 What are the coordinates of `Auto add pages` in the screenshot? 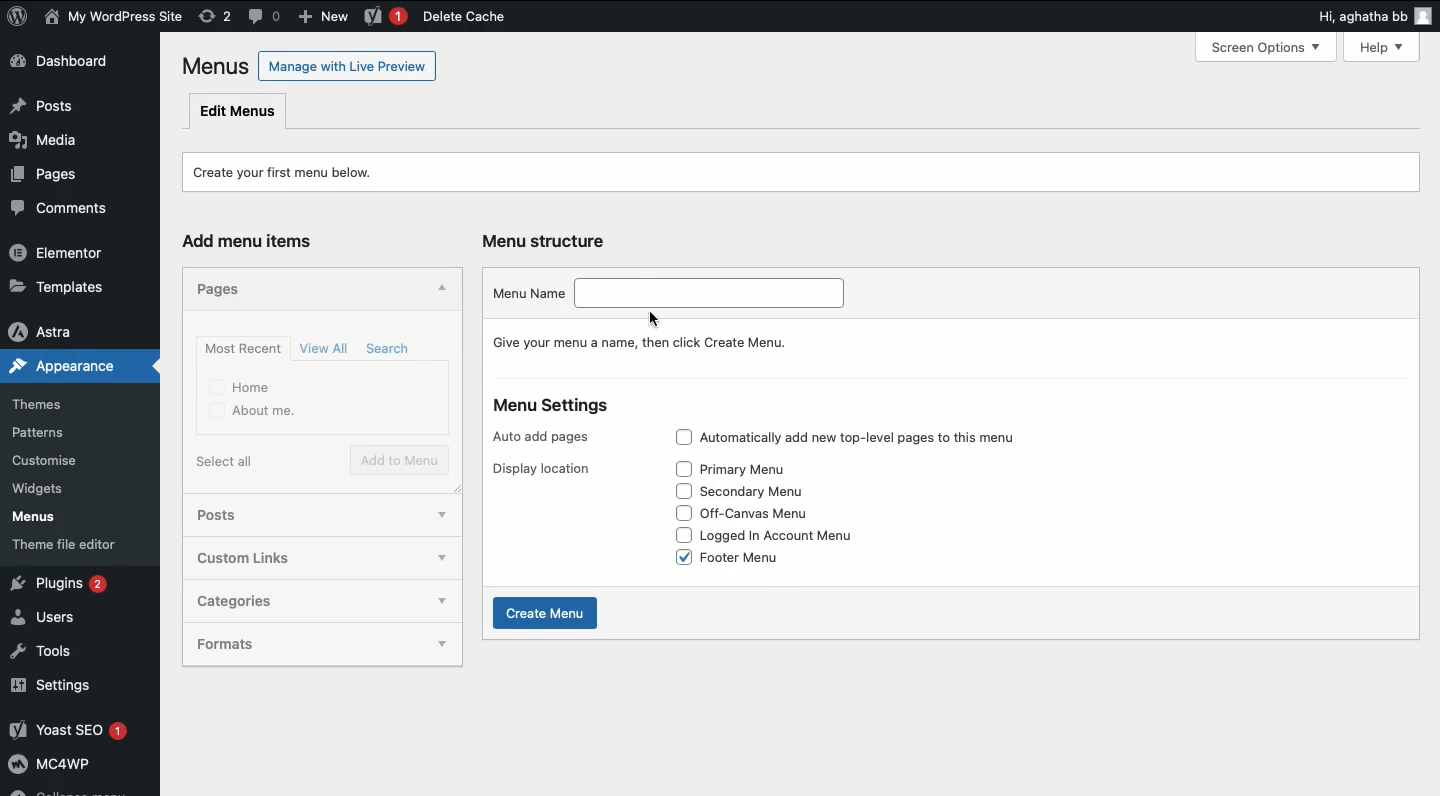 It's located at (540, 438).